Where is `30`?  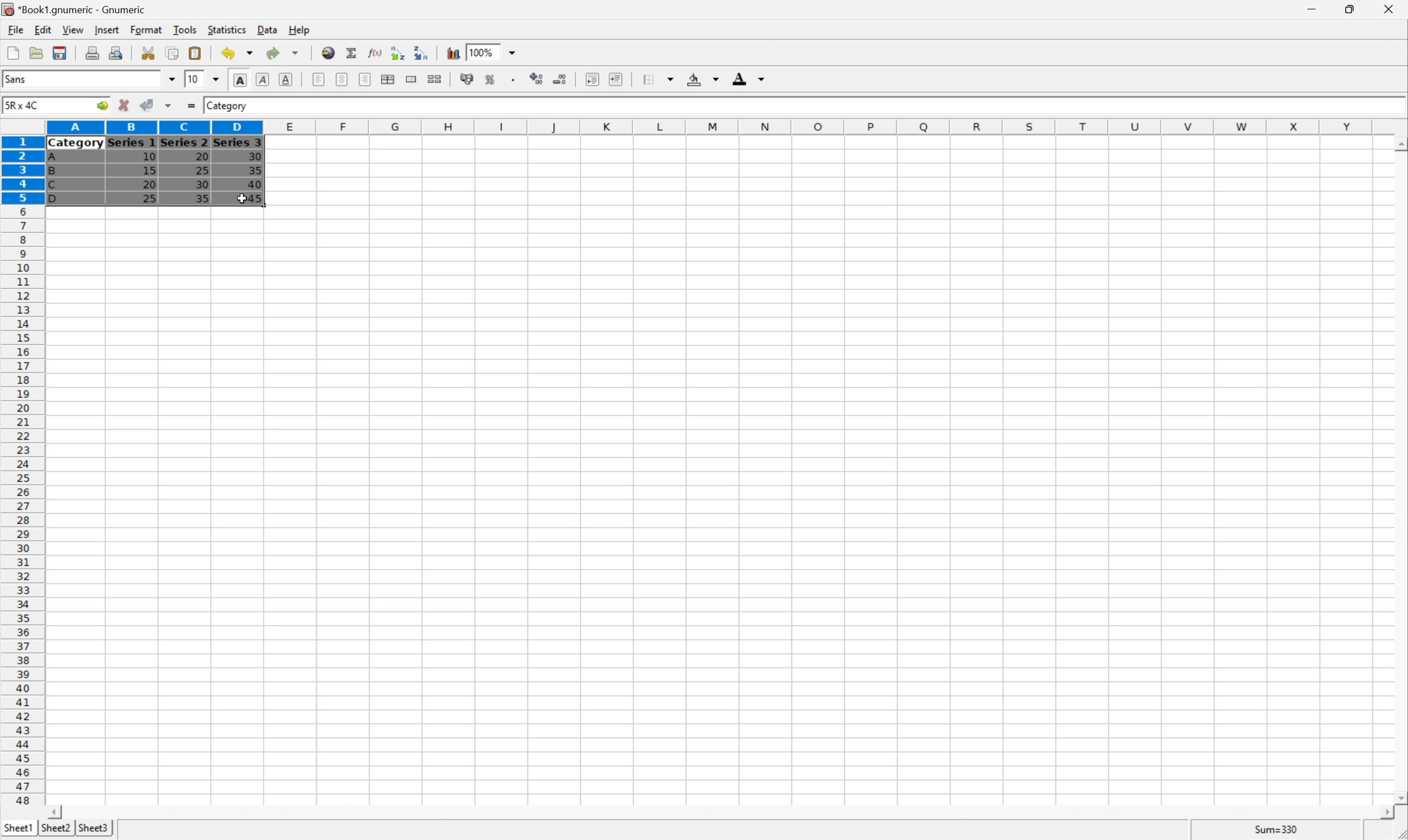
30 is located at coordinates (254, 156).